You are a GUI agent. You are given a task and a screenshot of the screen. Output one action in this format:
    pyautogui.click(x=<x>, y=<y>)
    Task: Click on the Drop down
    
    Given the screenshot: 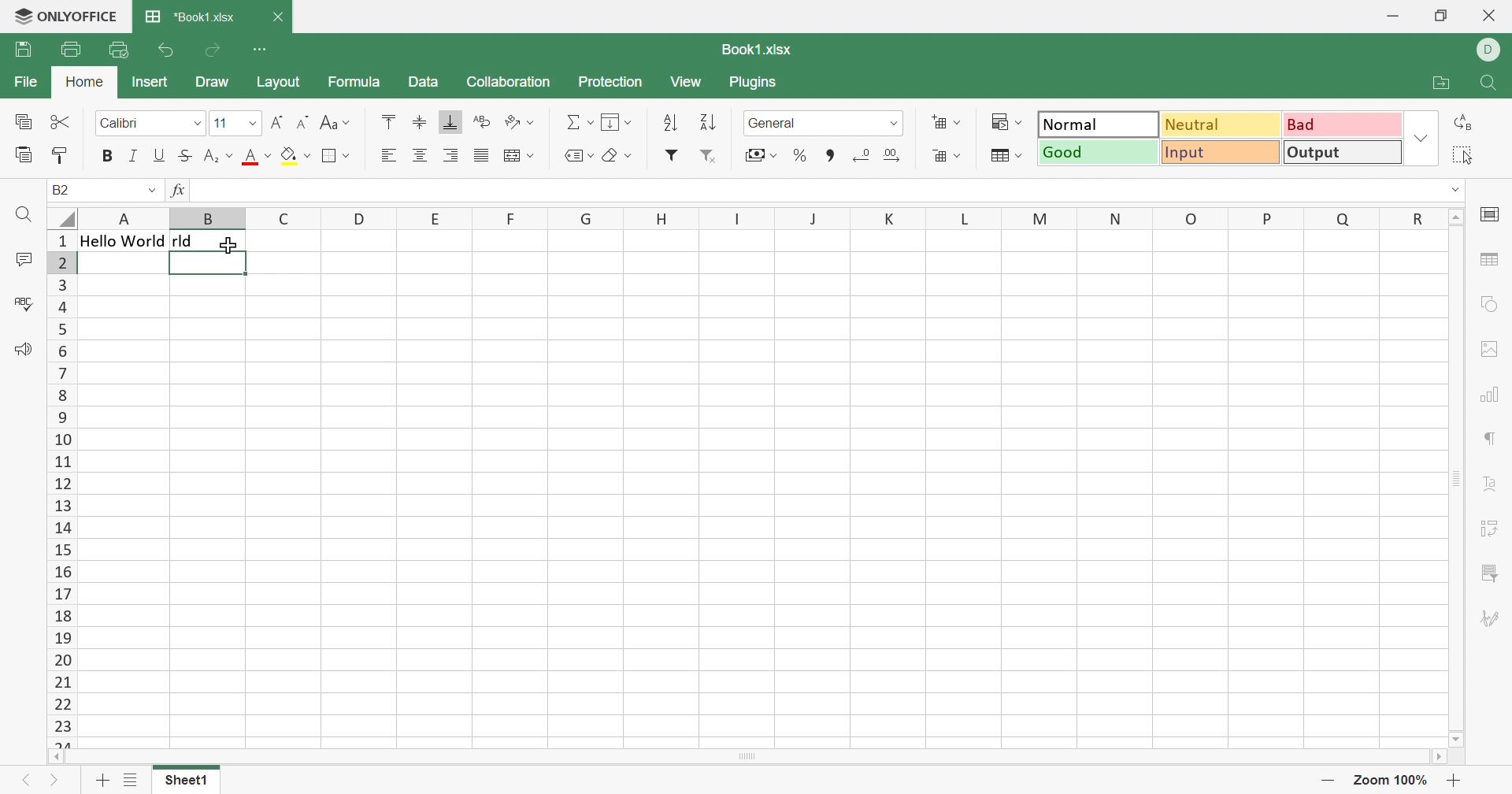 What is the action you would take?
    pyautogui.click(x=1455, y=192)
    